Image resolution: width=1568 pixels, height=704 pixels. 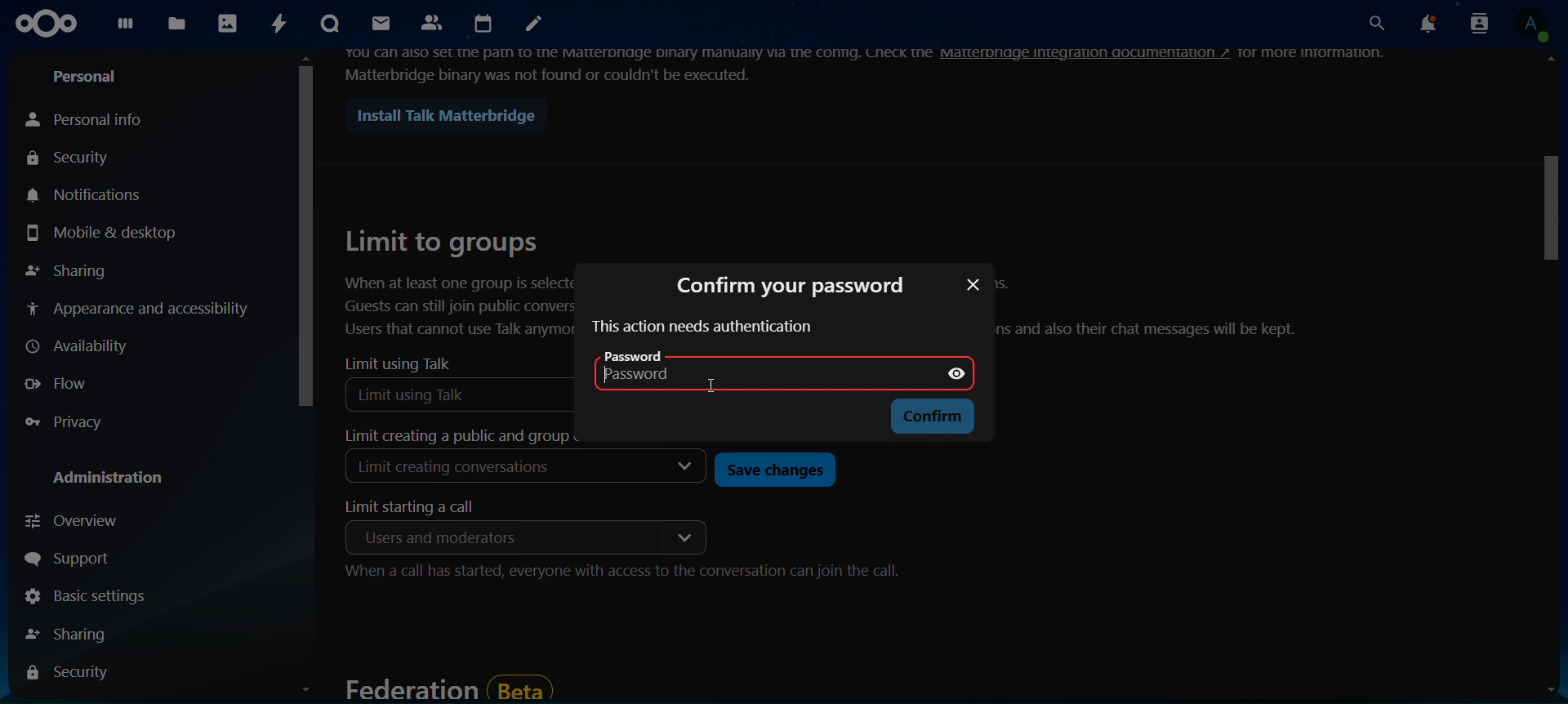 What do you see at coordinates (74, 423) in the screenshot?
I see `privacy` at bounding box center [74, 423].